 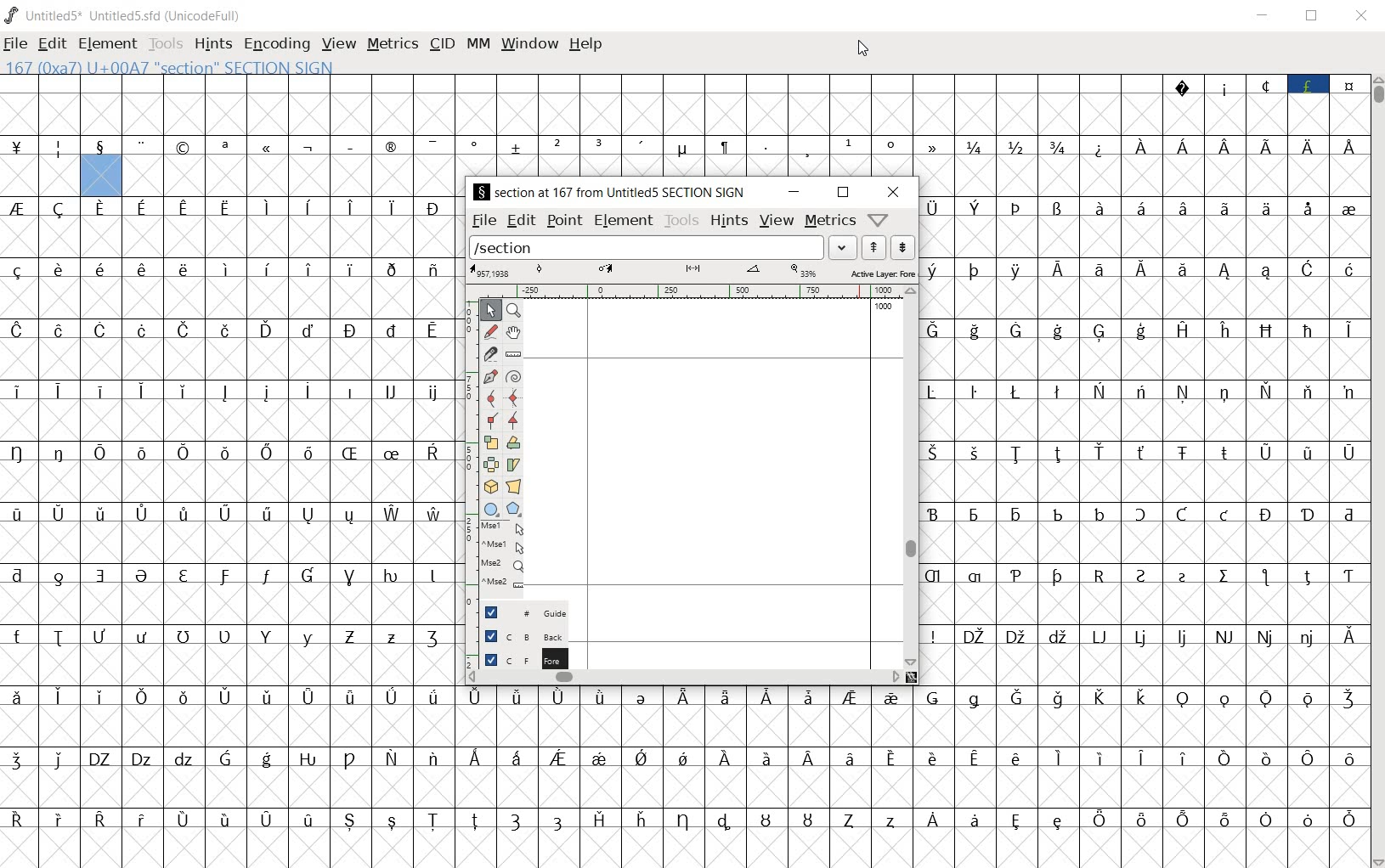 What do you see at coordinates (874, 247) in the screenshot?
I see `show the next word on the list` at bounding box center [874, 247].